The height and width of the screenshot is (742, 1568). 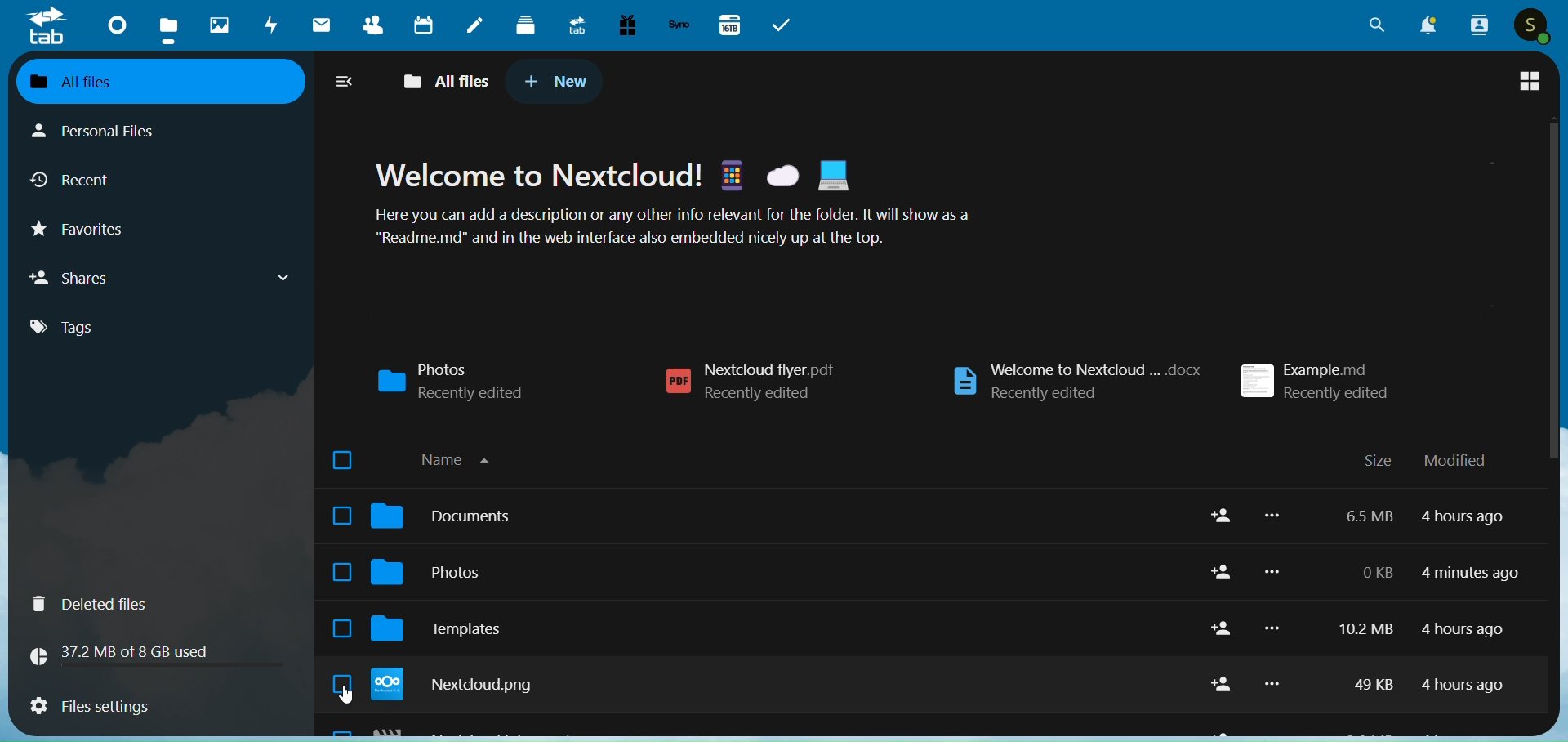 What do you see at coordinates (425, 25) in the screenshot?
I see `calendar` at bounding box center [425, 25].